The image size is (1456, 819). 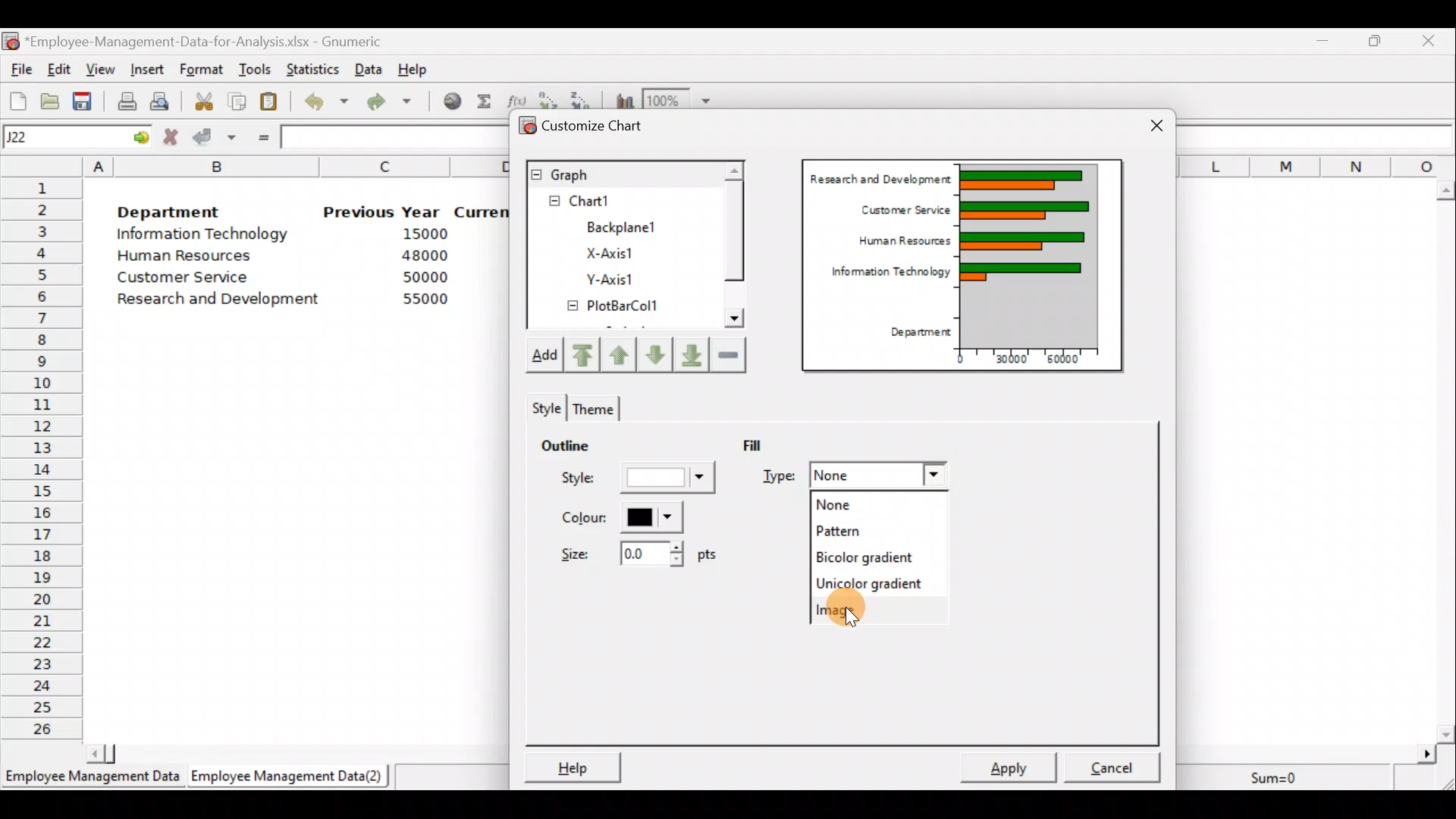 I want to click on Accept change, so click(x=214, y=139).